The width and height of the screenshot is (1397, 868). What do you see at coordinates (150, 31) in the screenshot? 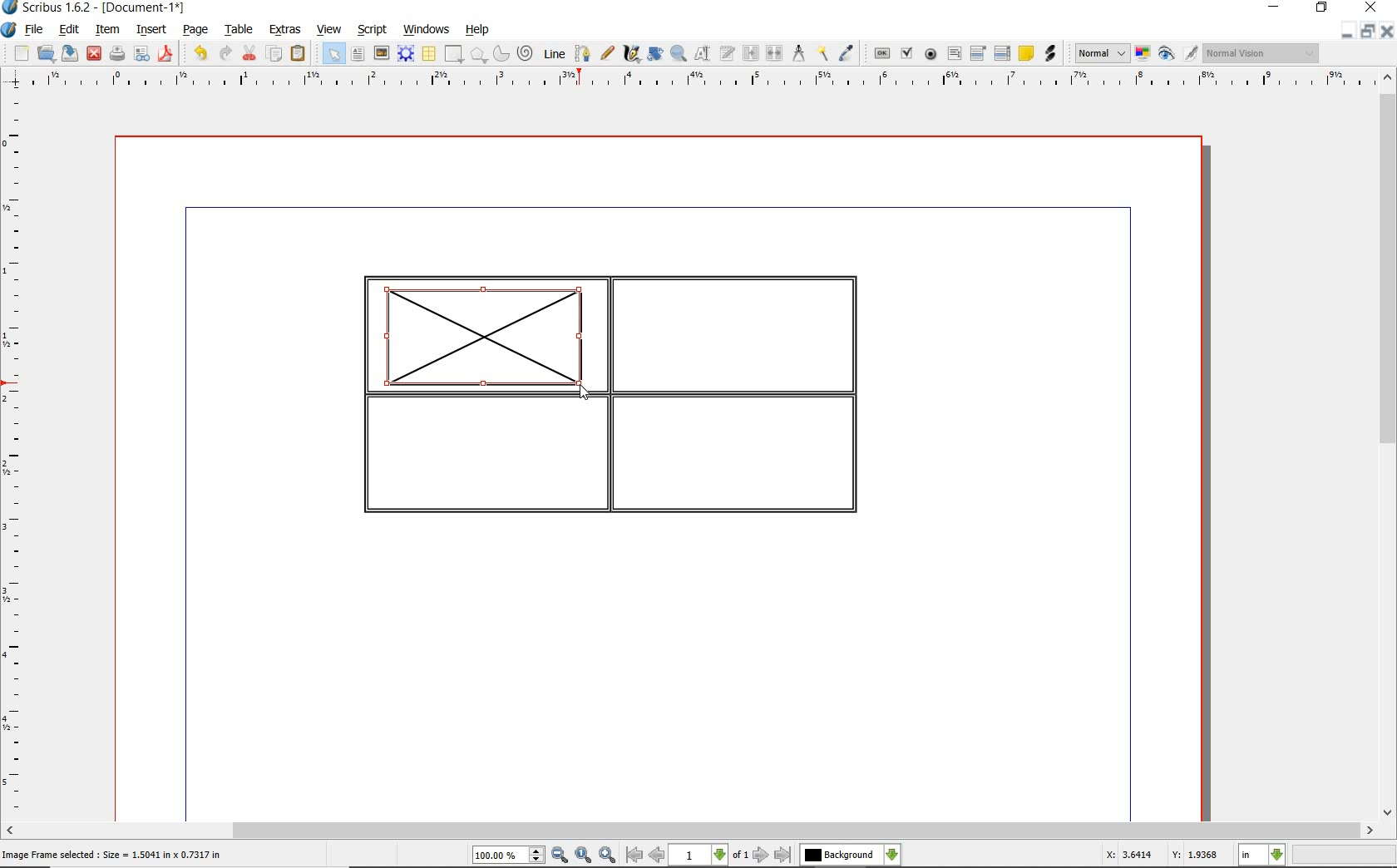
I see `insert` at bounding box center [150, 31].